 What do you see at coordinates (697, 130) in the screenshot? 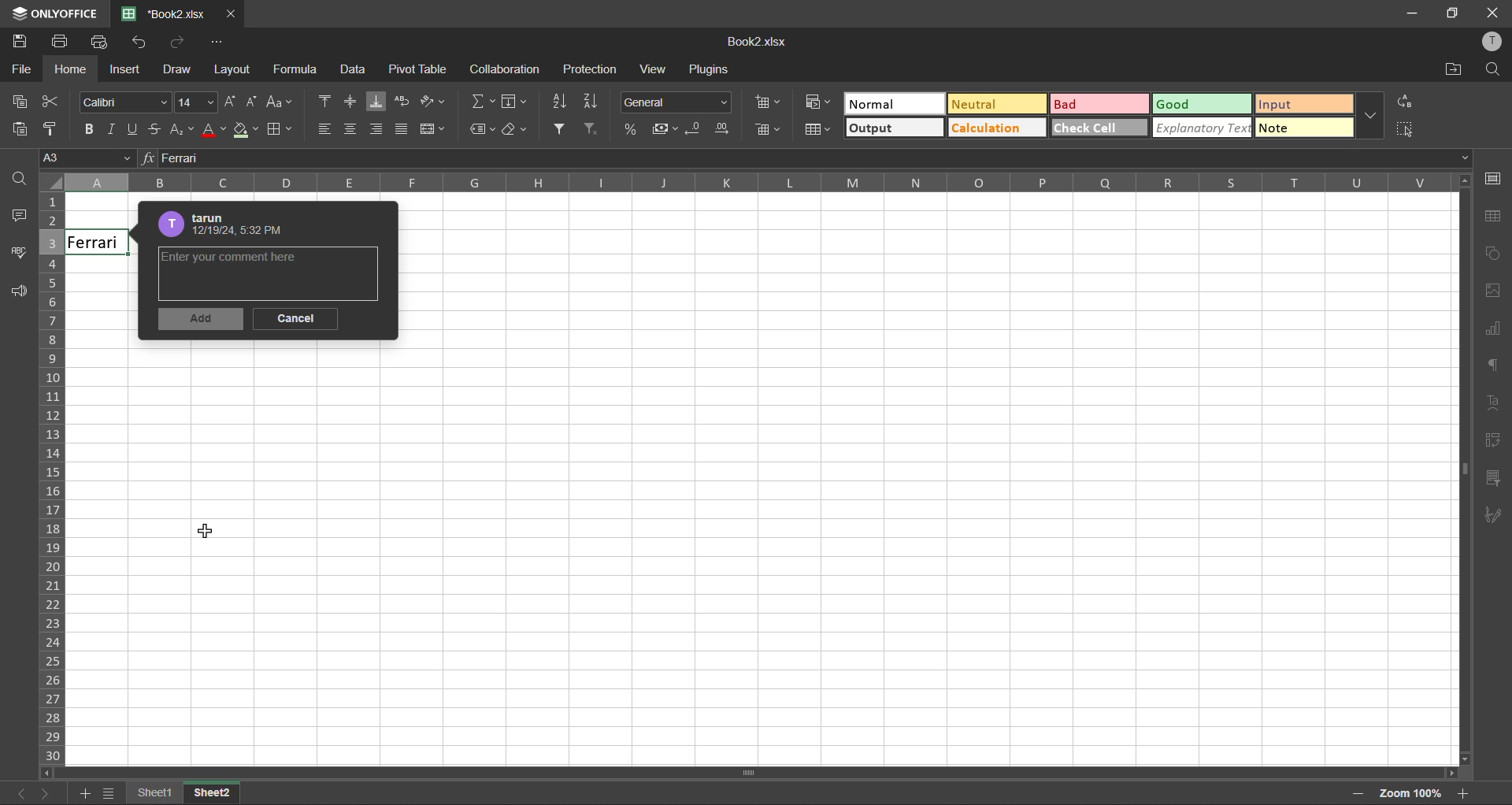
I see `decrease decimal` at bounding box center [697, 130].